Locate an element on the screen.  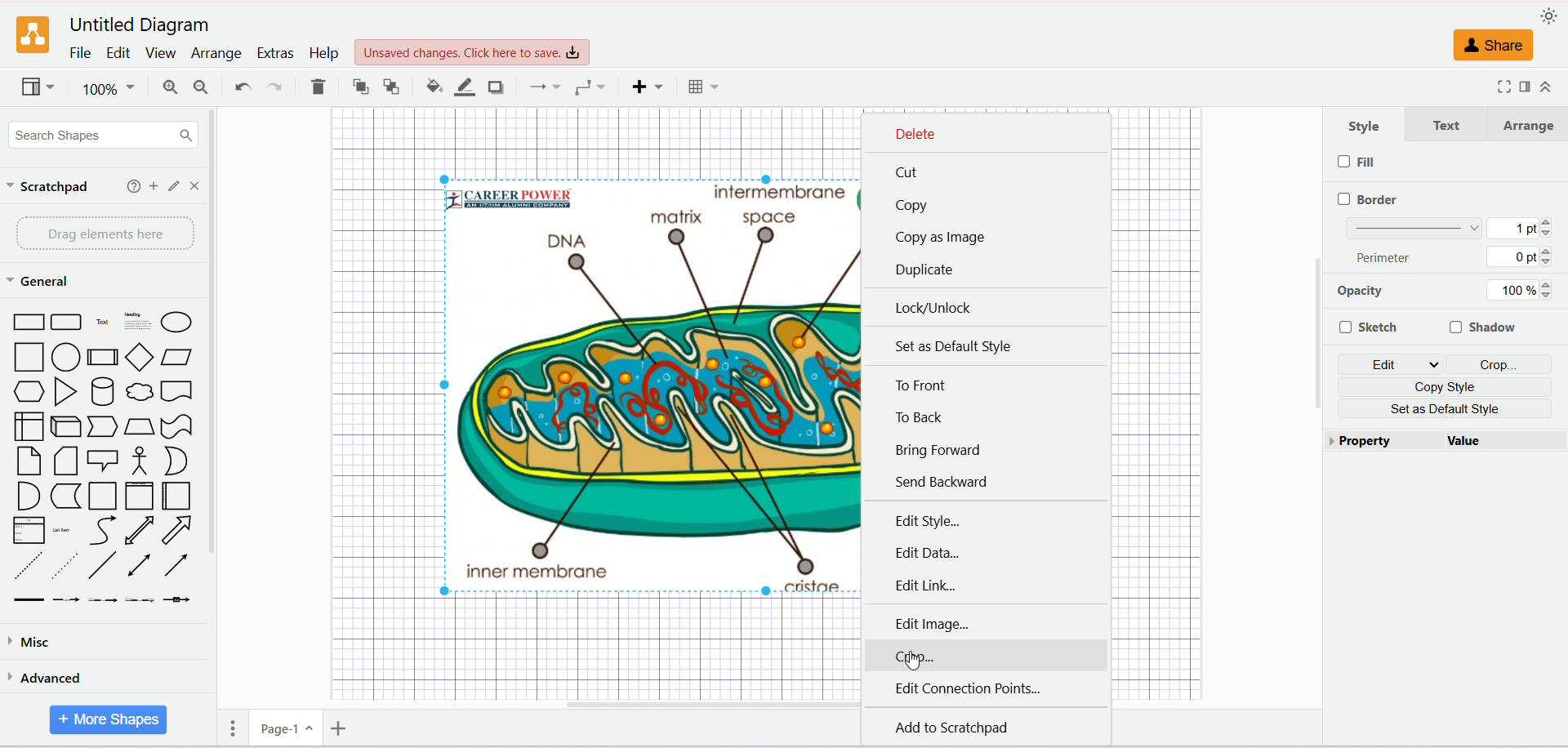
Data Storage is located at coordinates (65, 497).